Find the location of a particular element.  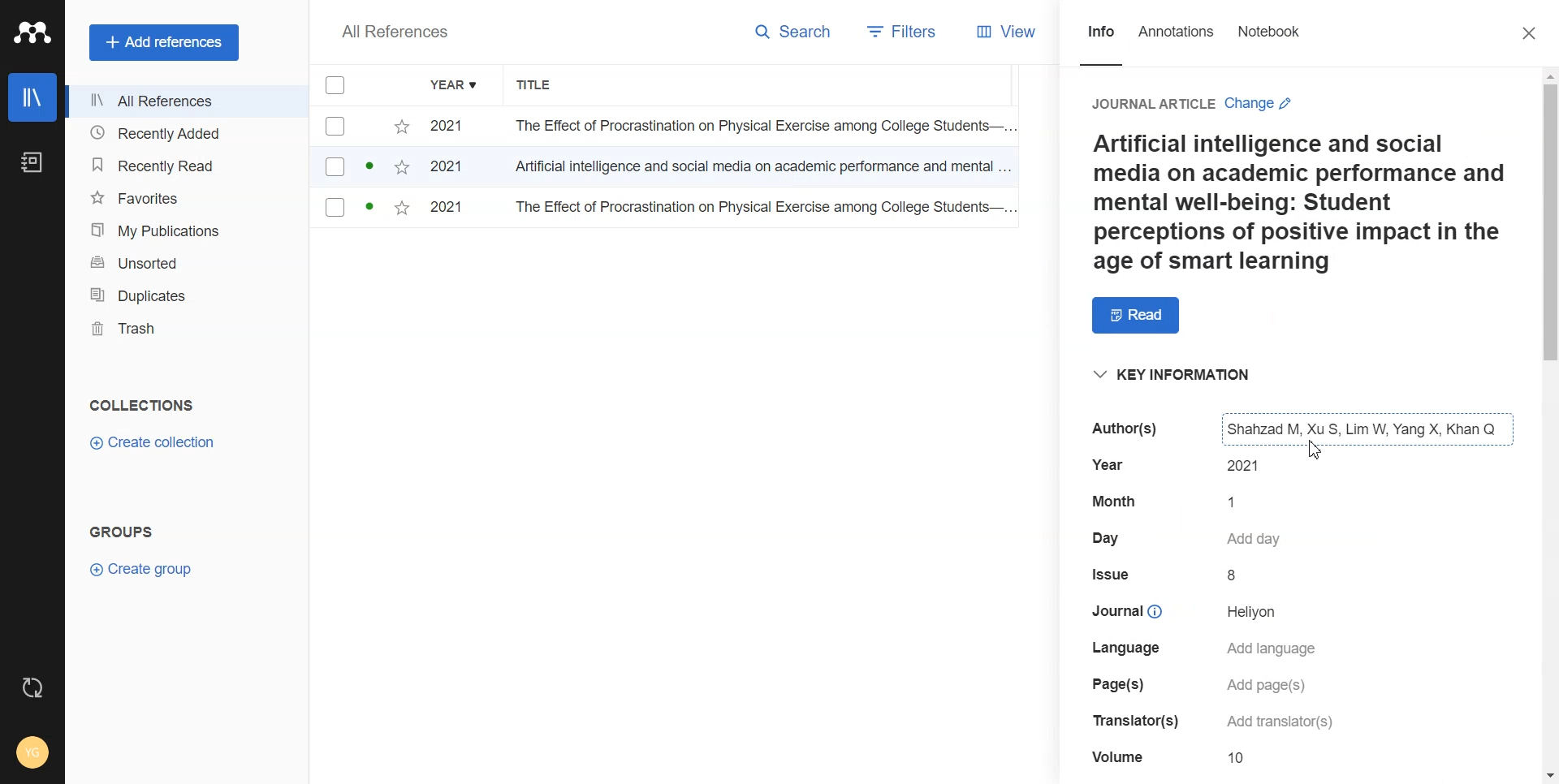

checkbox is located at coordinates (362, 210).